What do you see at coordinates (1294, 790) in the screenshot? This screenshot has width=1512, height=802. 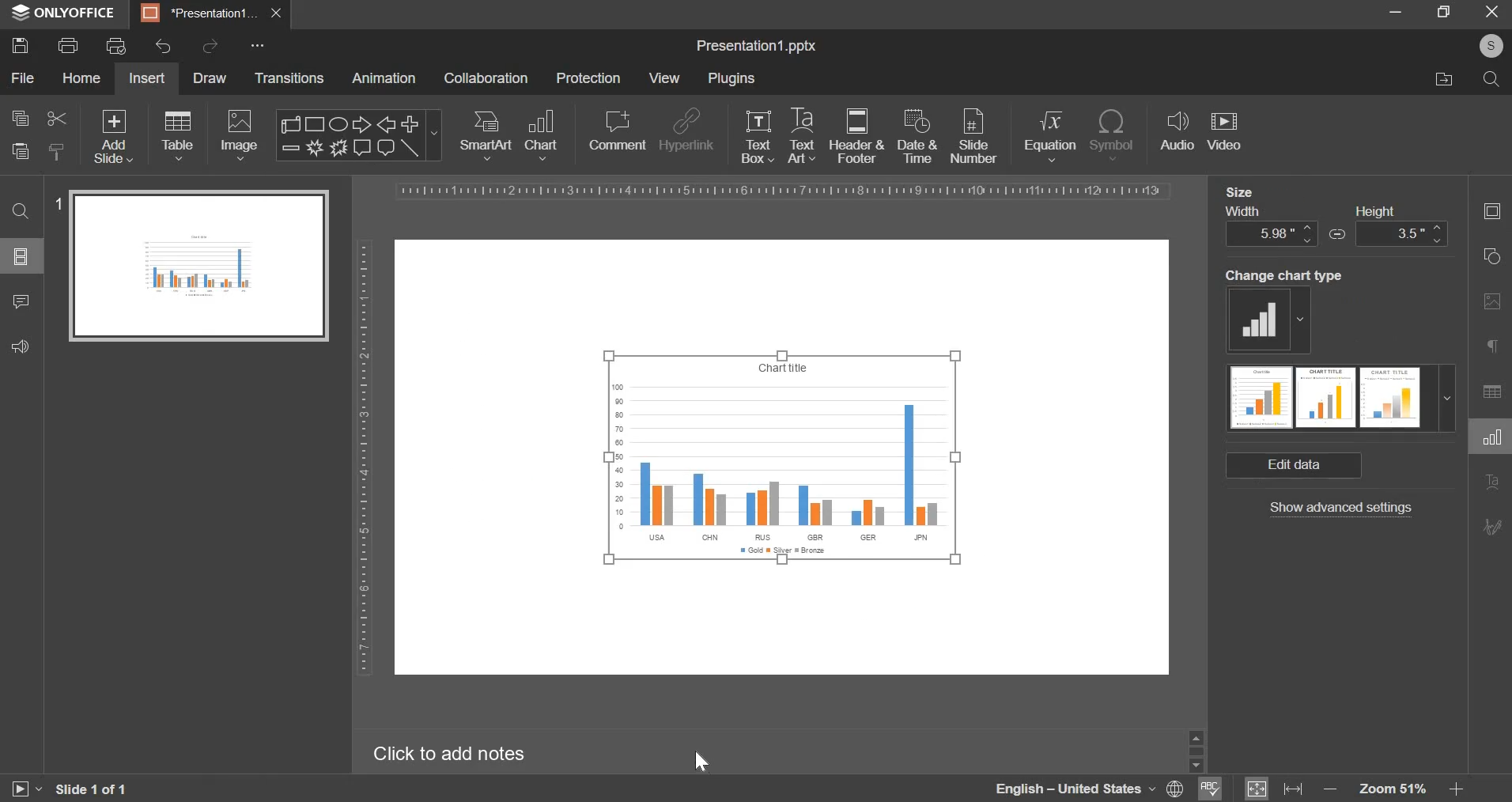 I see `fit to width` at bounding box center [1294, 790].